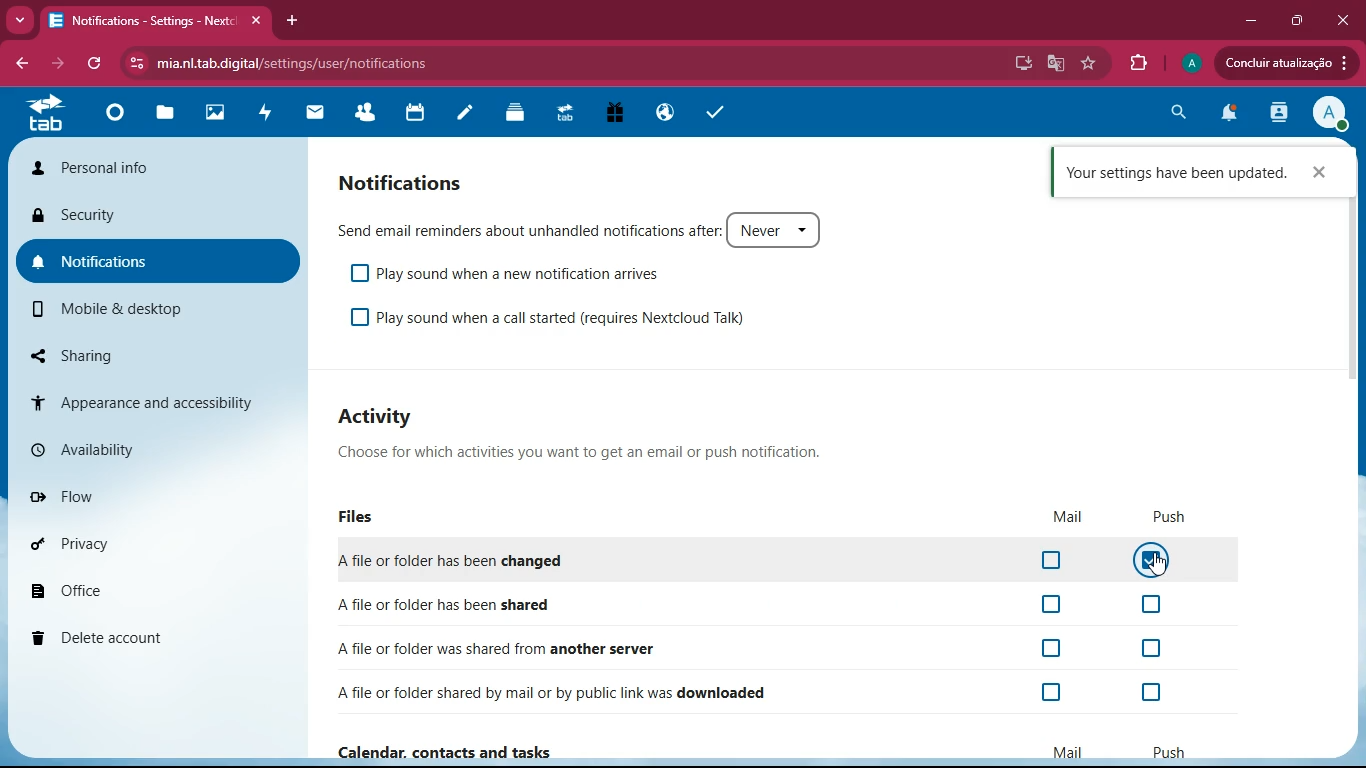 This screenshot has height=768, width=1366. Describe the element at coordinates (616, 114) in the screenshot. I see `gift` at that location.